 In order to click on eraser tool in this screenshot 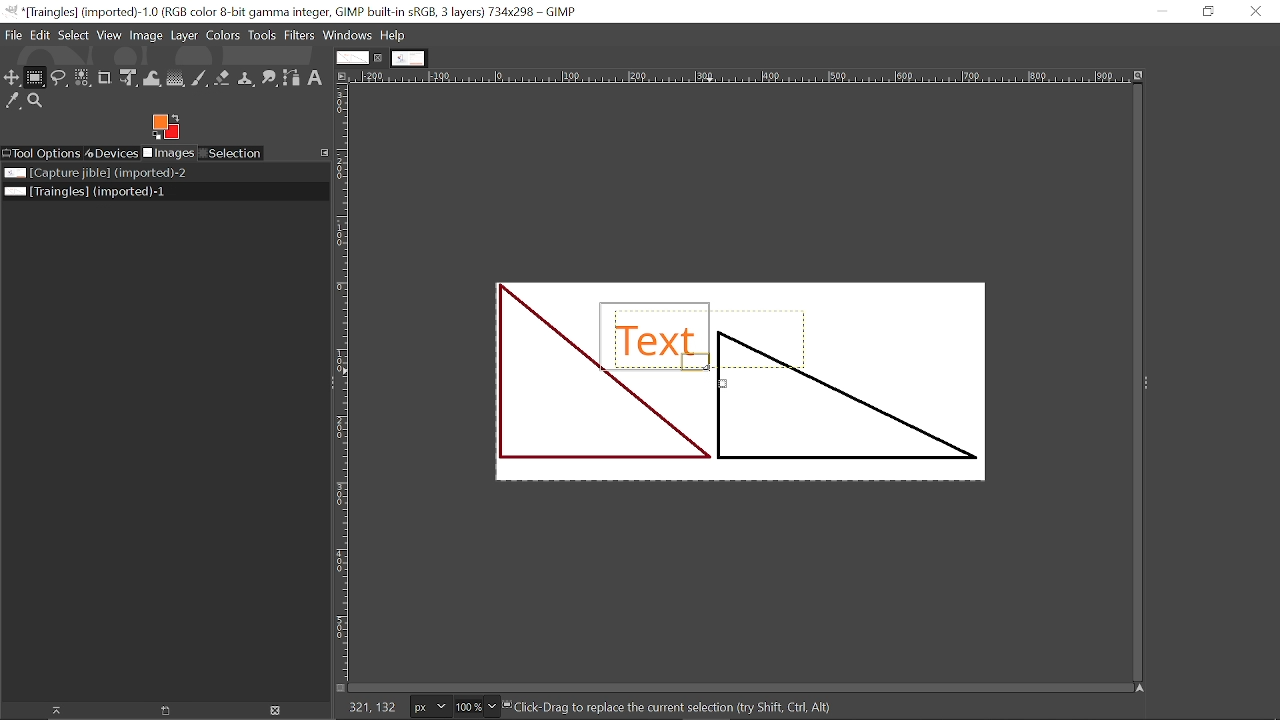, I will do `click(223, 80)`.